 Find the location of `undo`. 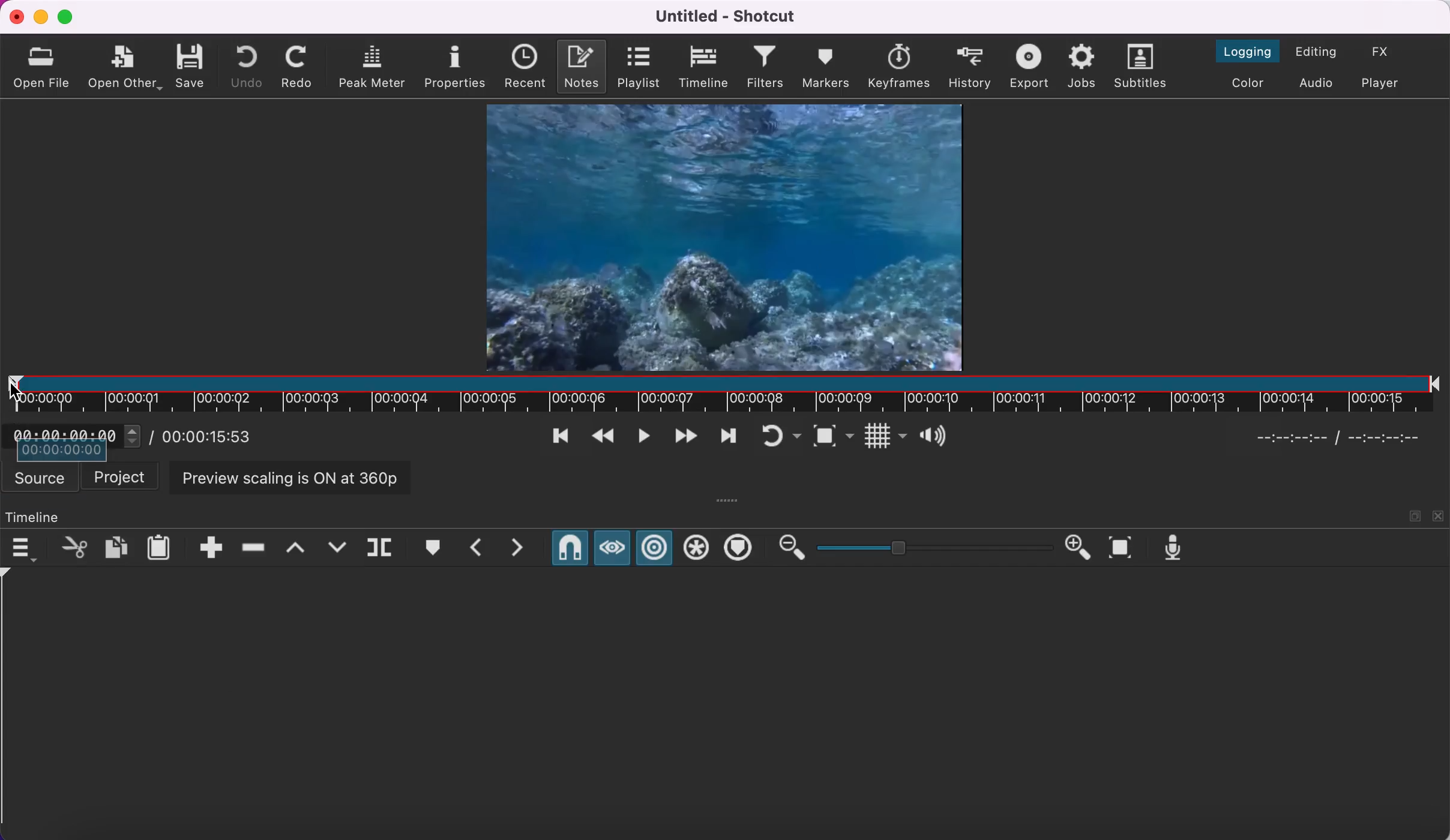

undo is located at coordinates (249, 65).